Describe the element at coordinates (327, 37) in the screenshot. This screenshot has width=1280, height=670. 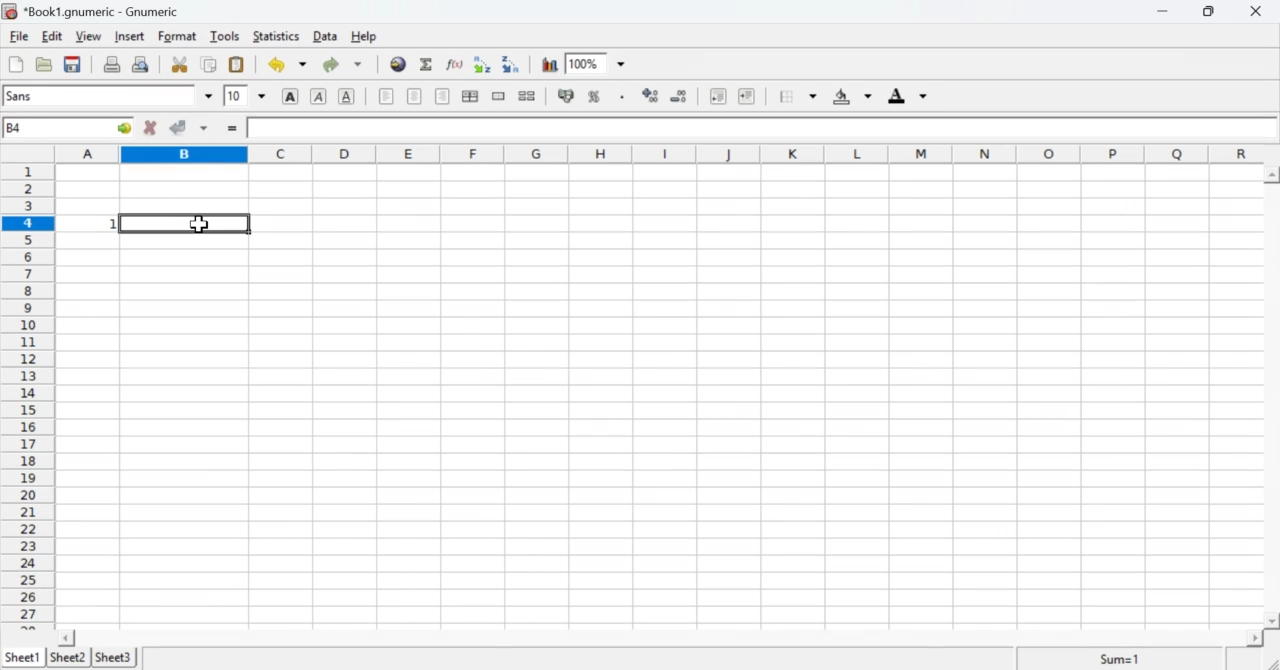
I see `Data` at that location.